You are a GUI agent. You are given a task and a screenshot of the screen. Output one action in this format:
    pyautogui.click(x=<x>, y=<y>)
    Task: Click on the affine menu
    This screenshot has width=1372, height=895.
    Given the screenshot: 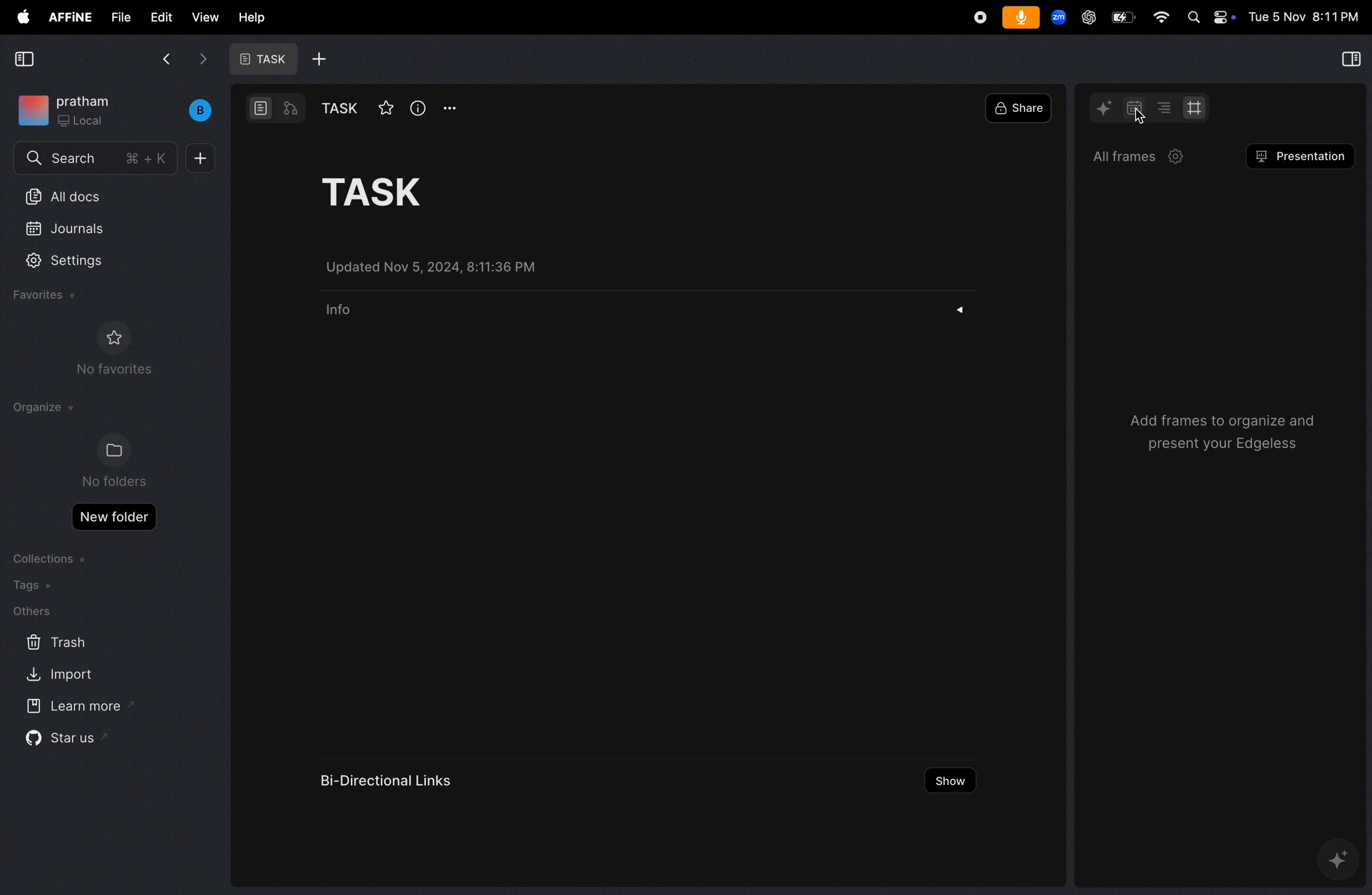 What is the action you would take?
    pyautogui.click(x=69, y=17)
    